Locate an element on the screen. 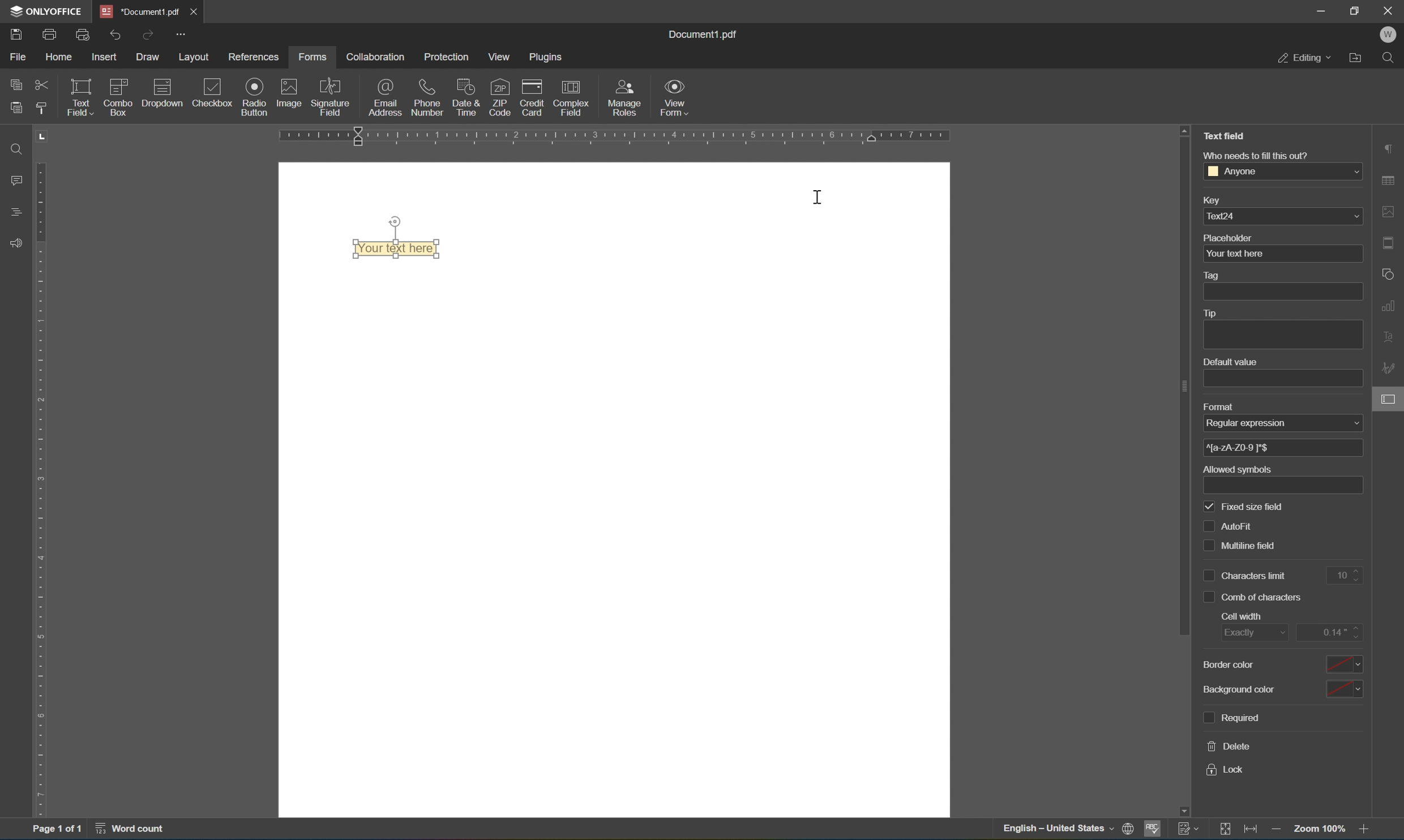 The image size is (1404, 840). zoom in is located at coordinates (1368, 830).